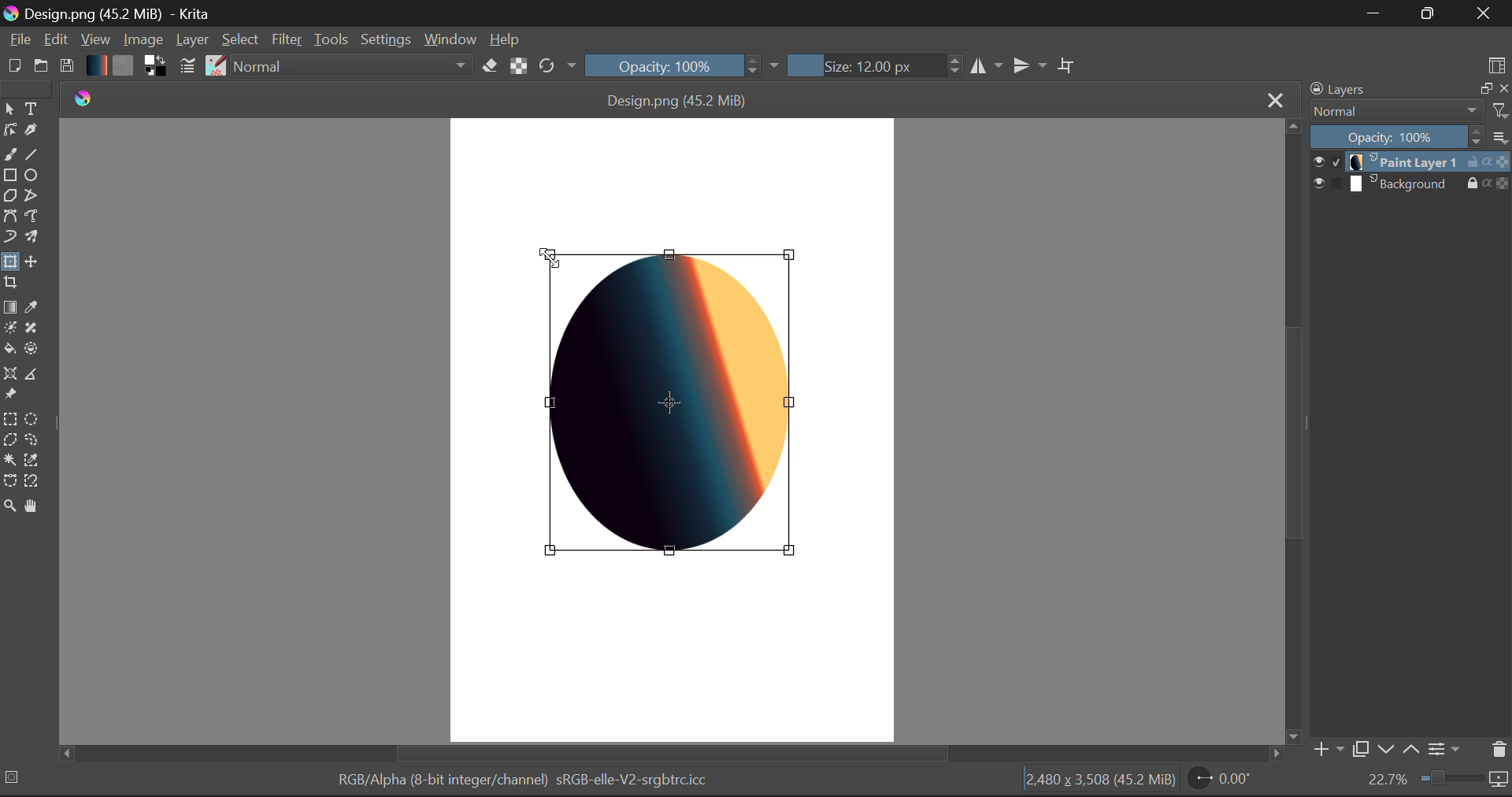  Describe the element at coordinates (9, 238) in the screenshot. I see `Dynamic Brush` at that location.